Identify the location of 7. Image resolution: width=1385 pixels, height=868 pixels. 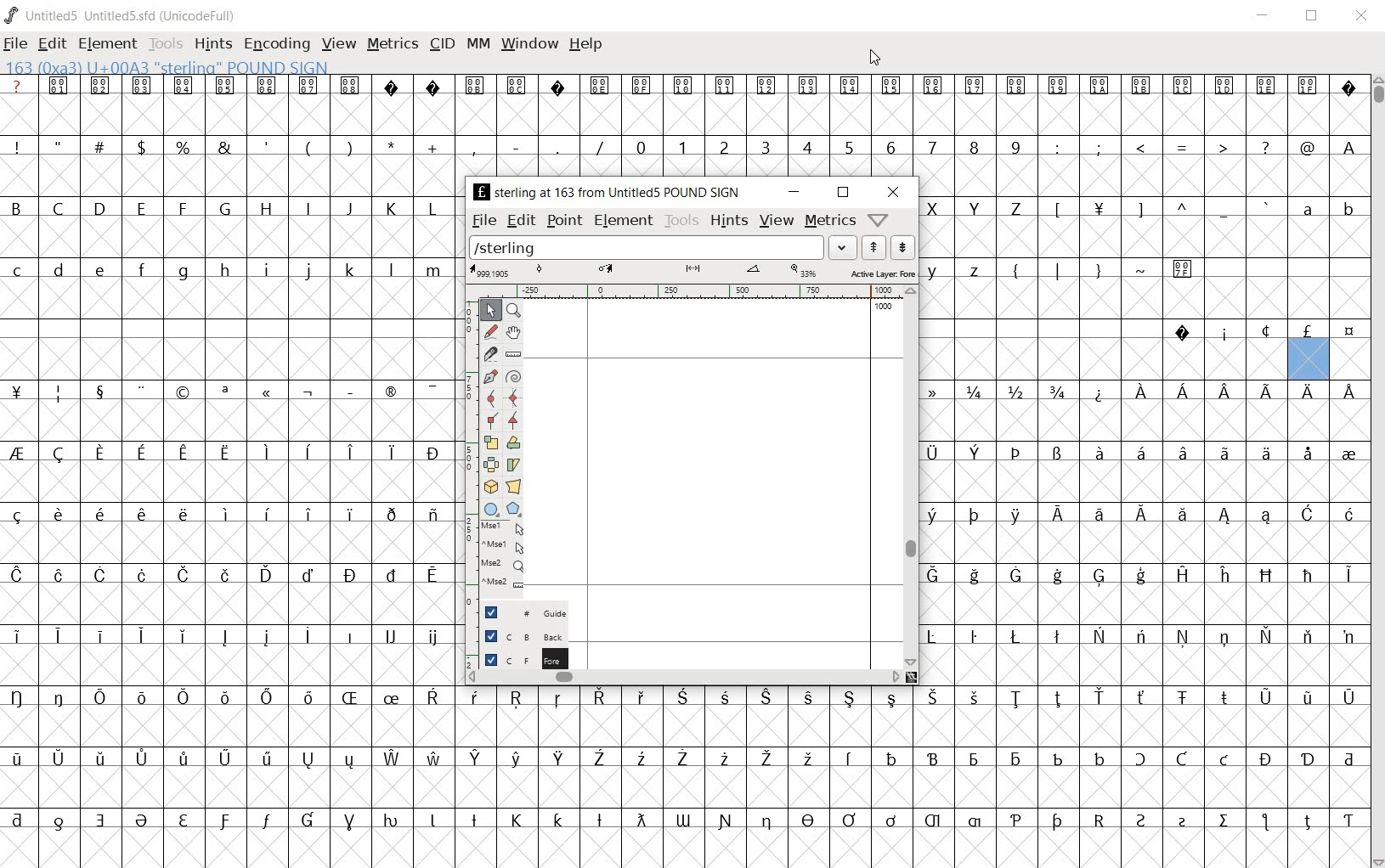
(932, 148).